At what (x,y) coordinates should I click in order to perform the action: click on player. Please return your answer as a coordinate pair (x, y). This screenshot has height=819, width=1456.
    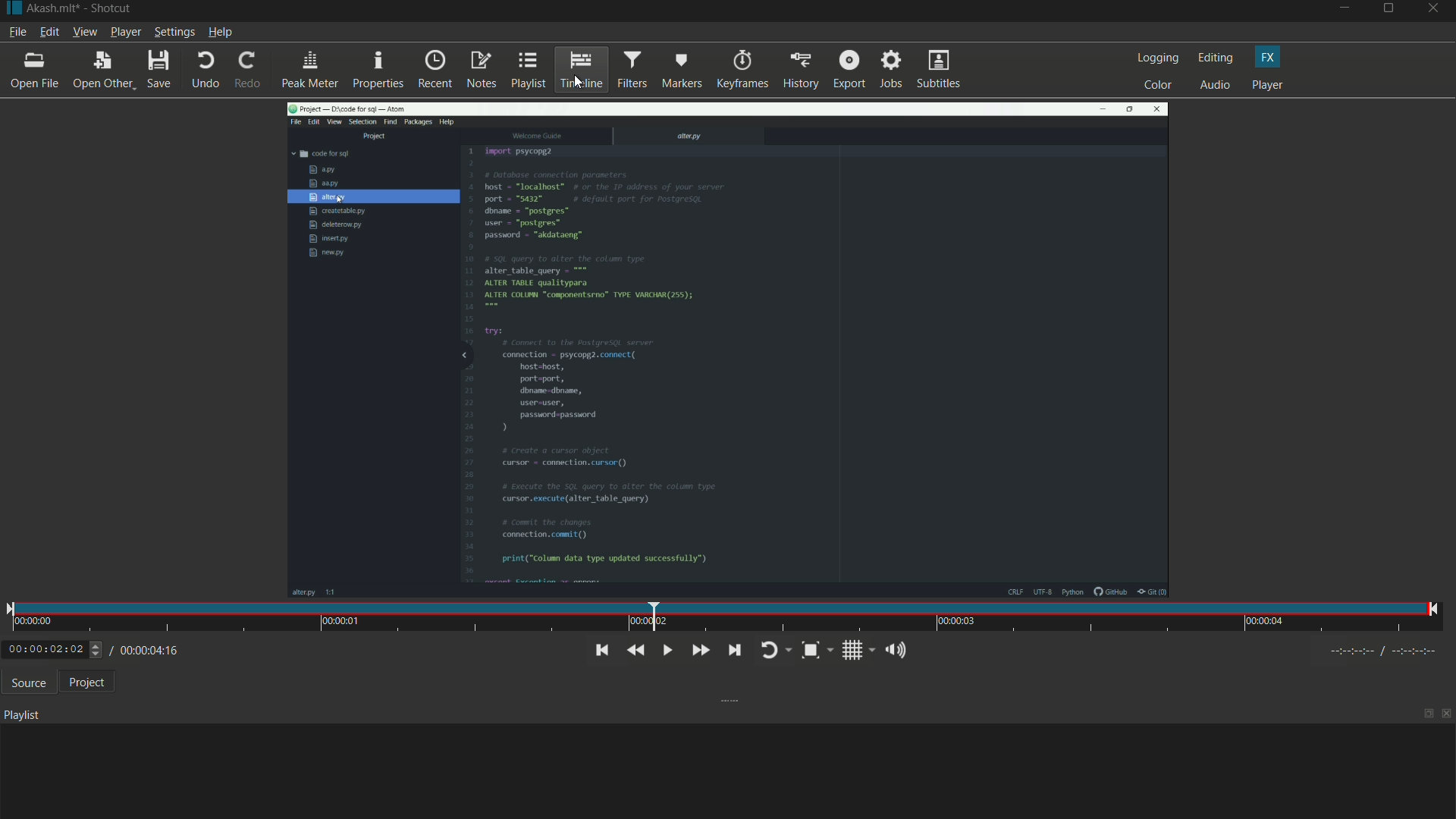
    Looking at the image, I should click on (1268, 85).